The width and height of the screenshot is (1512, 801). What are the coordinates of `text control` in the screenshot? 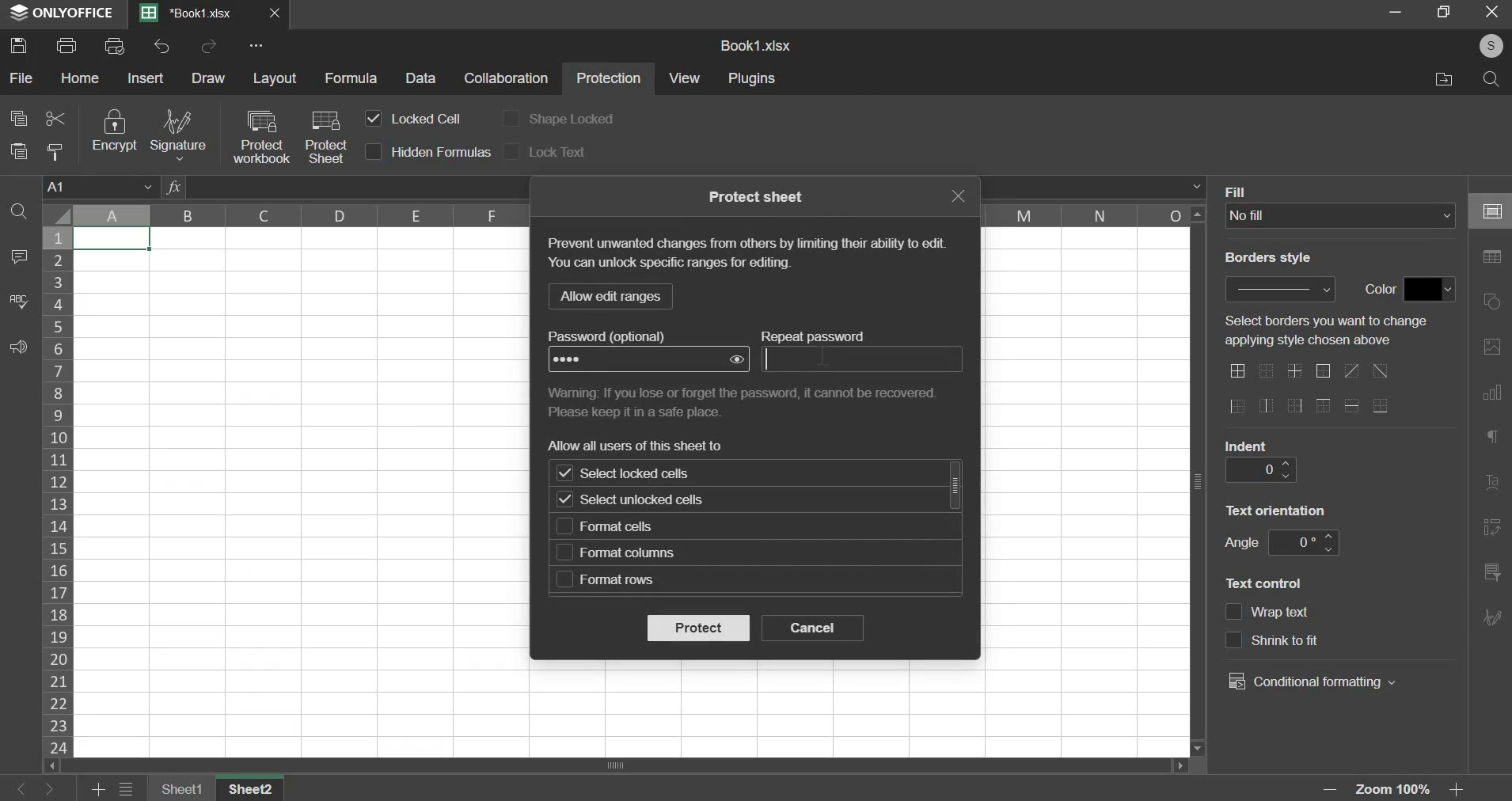 It's located at (1284, 613).